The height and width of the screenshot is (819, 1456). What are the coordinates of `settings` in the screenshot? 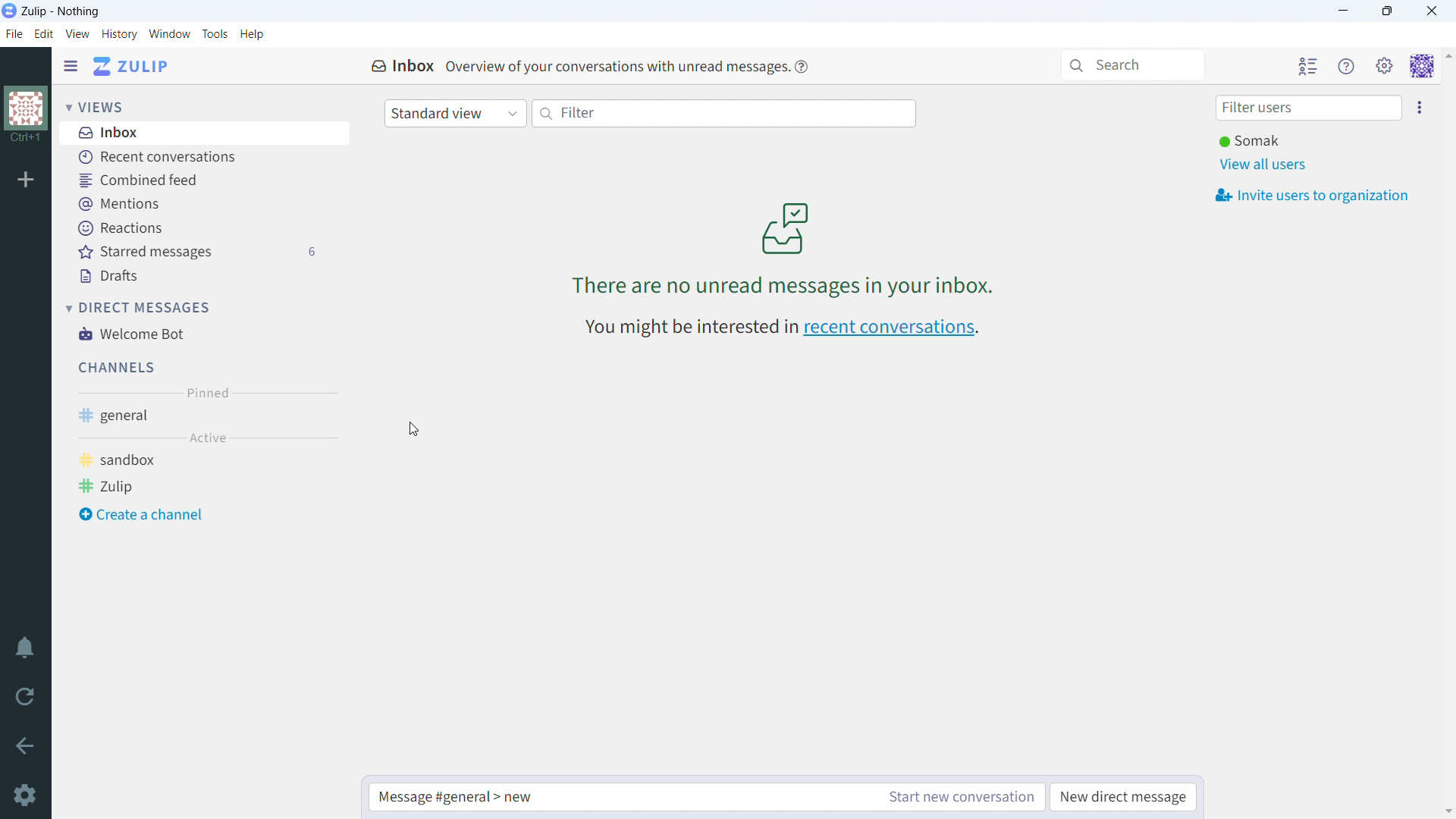 It's located at (24, 795).